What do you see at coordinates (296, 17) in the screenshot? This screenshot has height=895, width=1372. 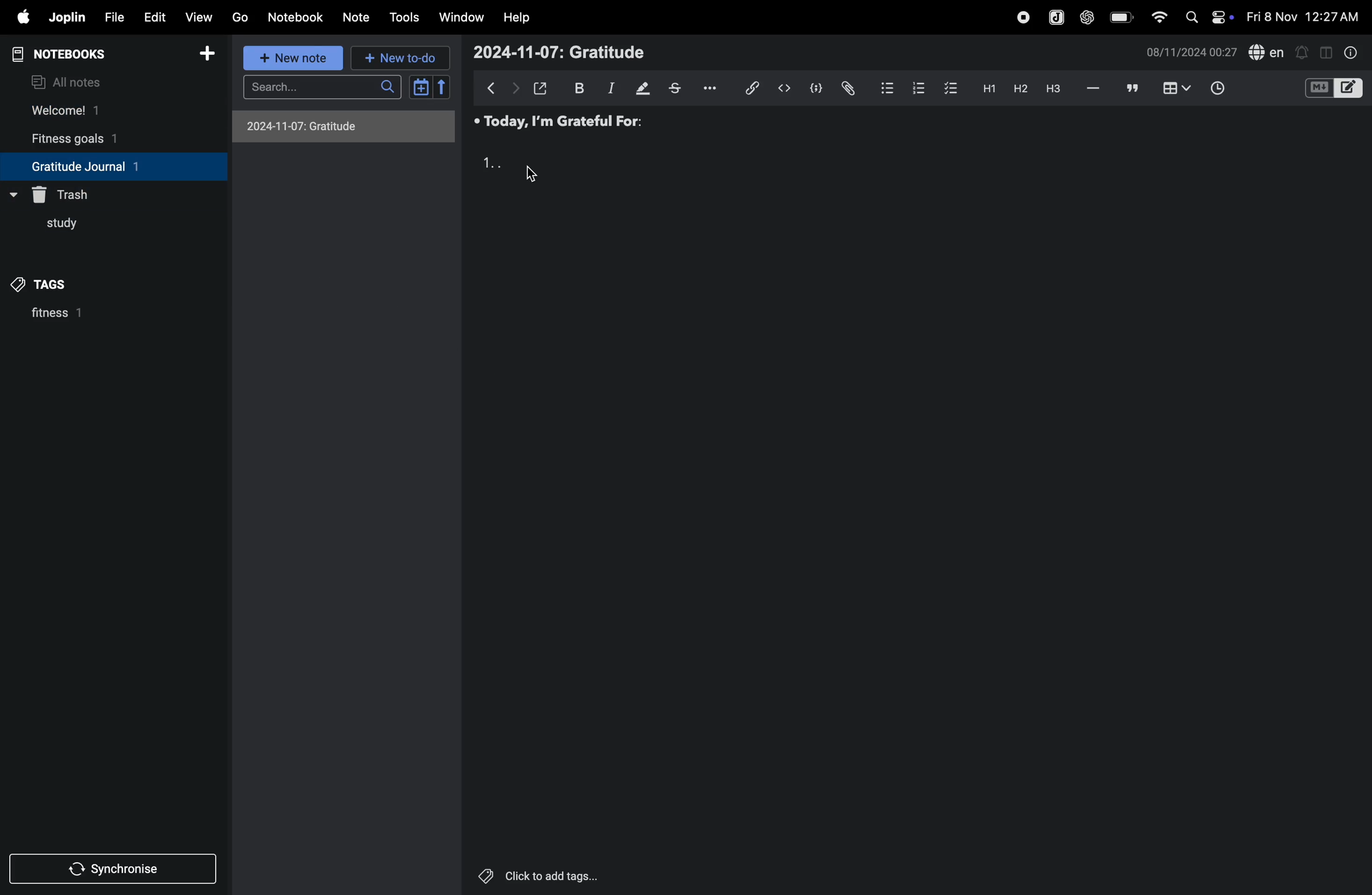 I see `notebook` at bounding box center [296, 17].